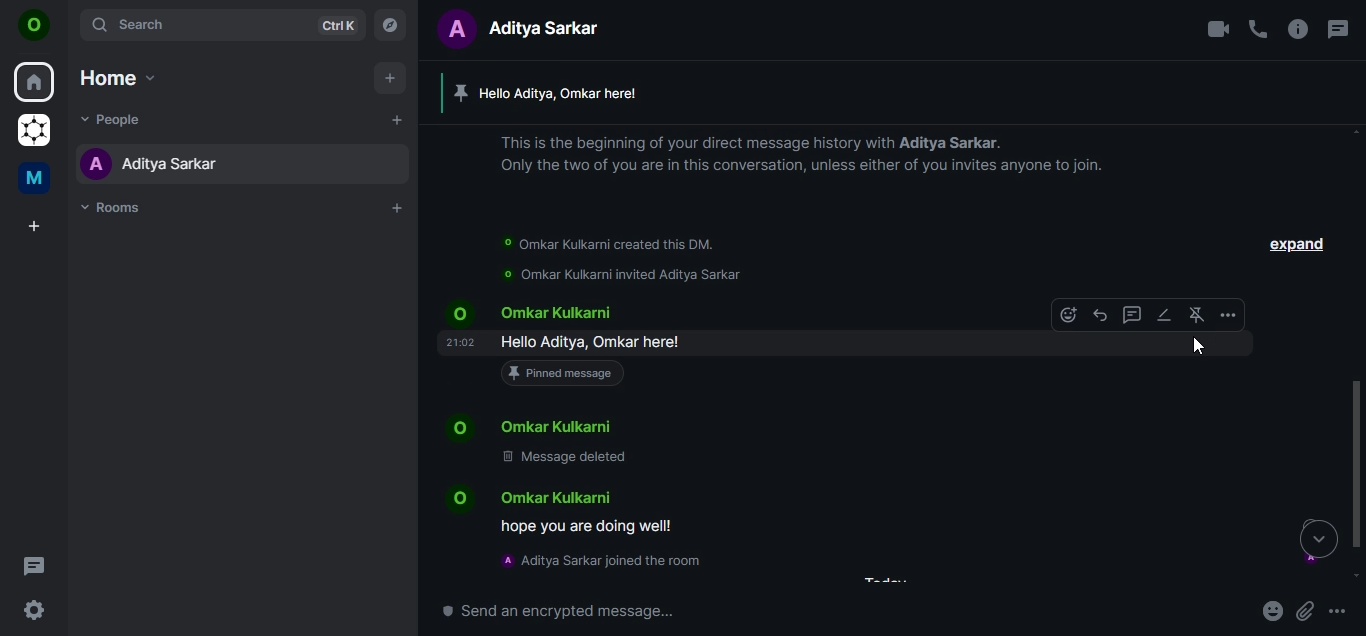  What do you see at coordinates (116, 119) in the screenshot?
I see `people` at bounding box center [116, 119].